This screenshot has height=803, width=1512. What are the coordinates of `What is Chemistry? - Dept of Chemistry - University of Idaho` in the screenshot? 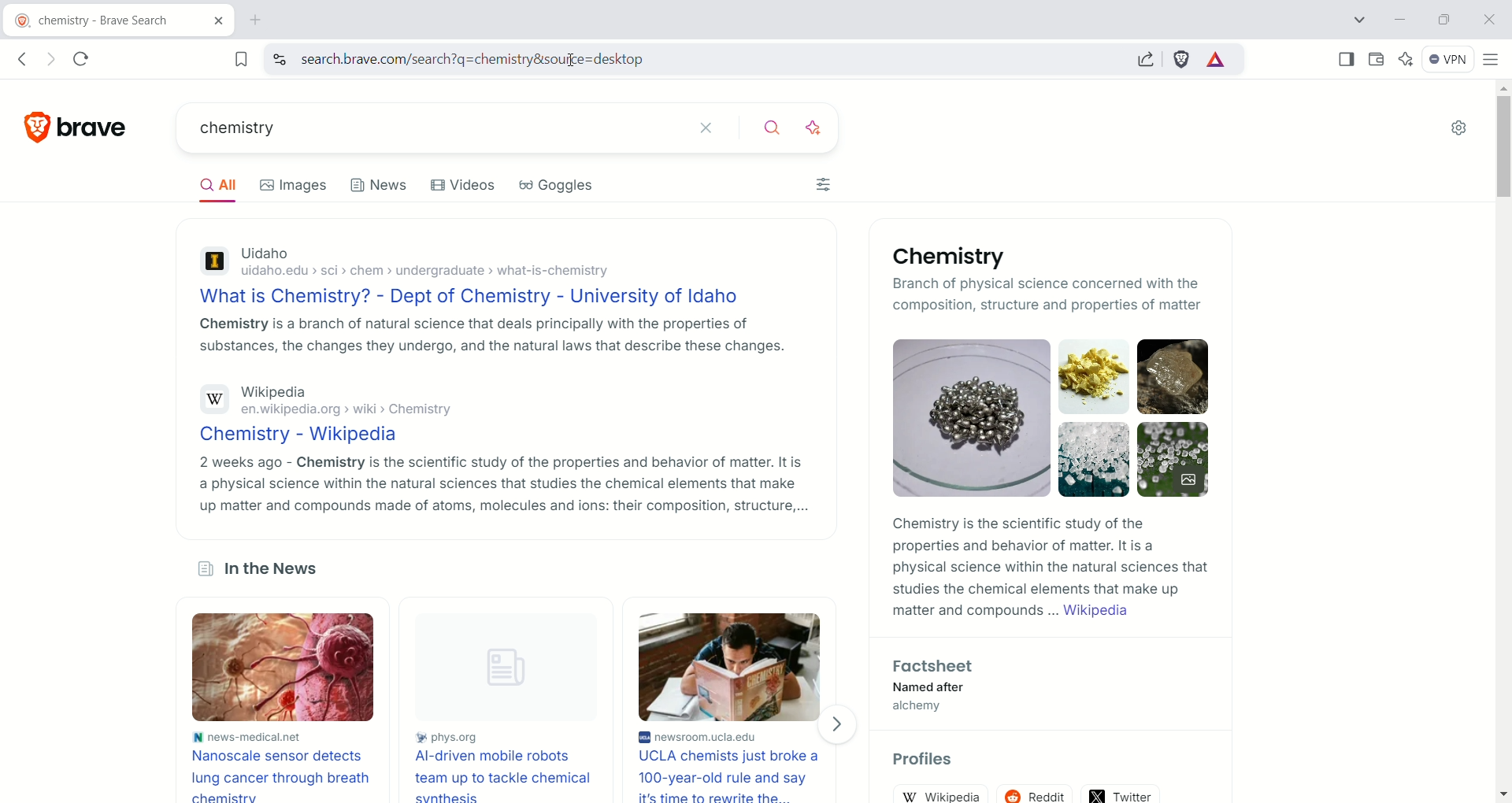 It's located at (476, 296).